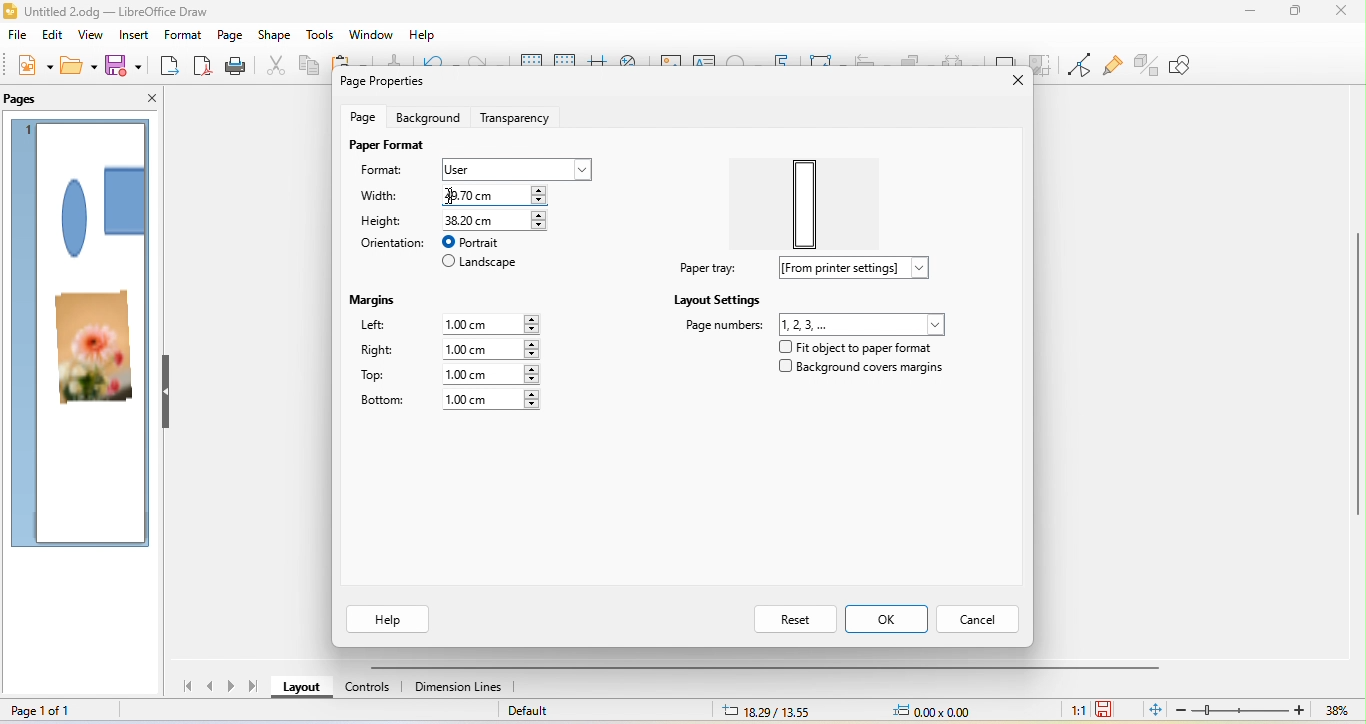 The image size is (1366, 724). Describe the element at coordinates (385, 403) in the screenshot. I see `bottom` at that location.